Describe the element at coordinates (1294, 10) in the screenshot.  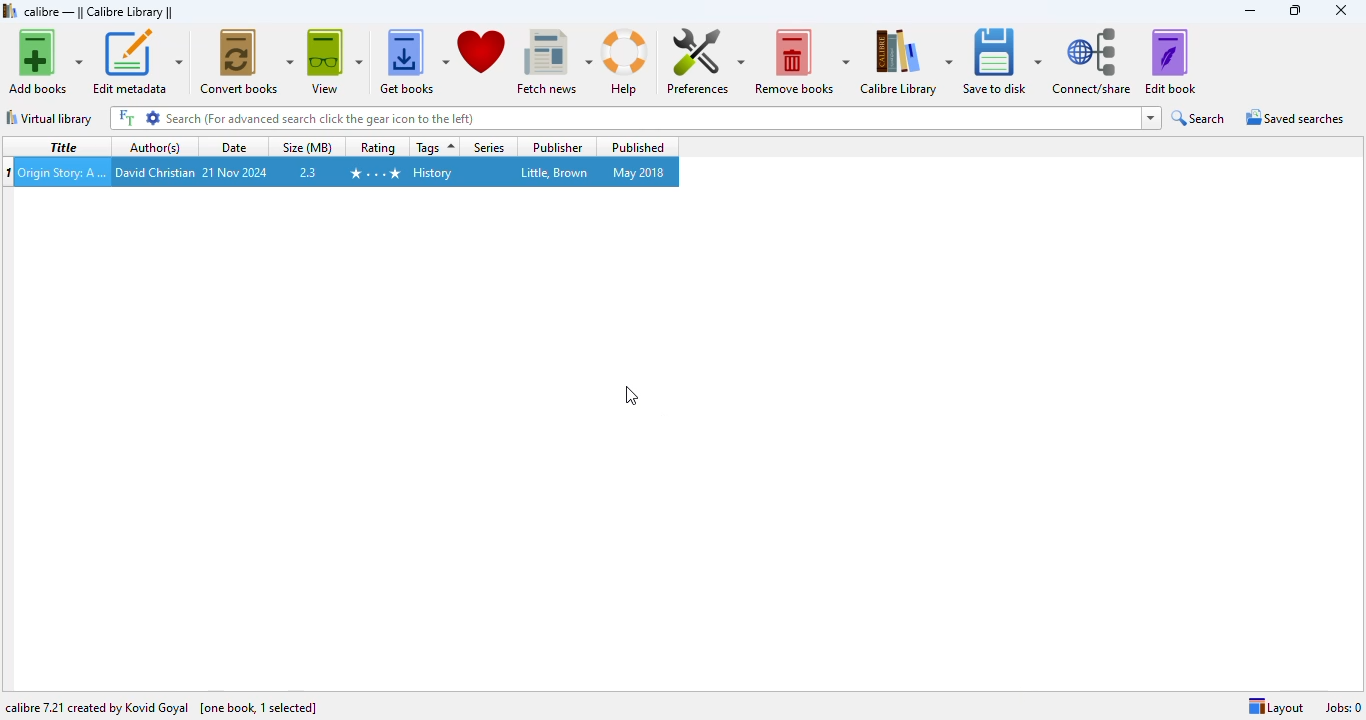
I see `maximize` at that location.